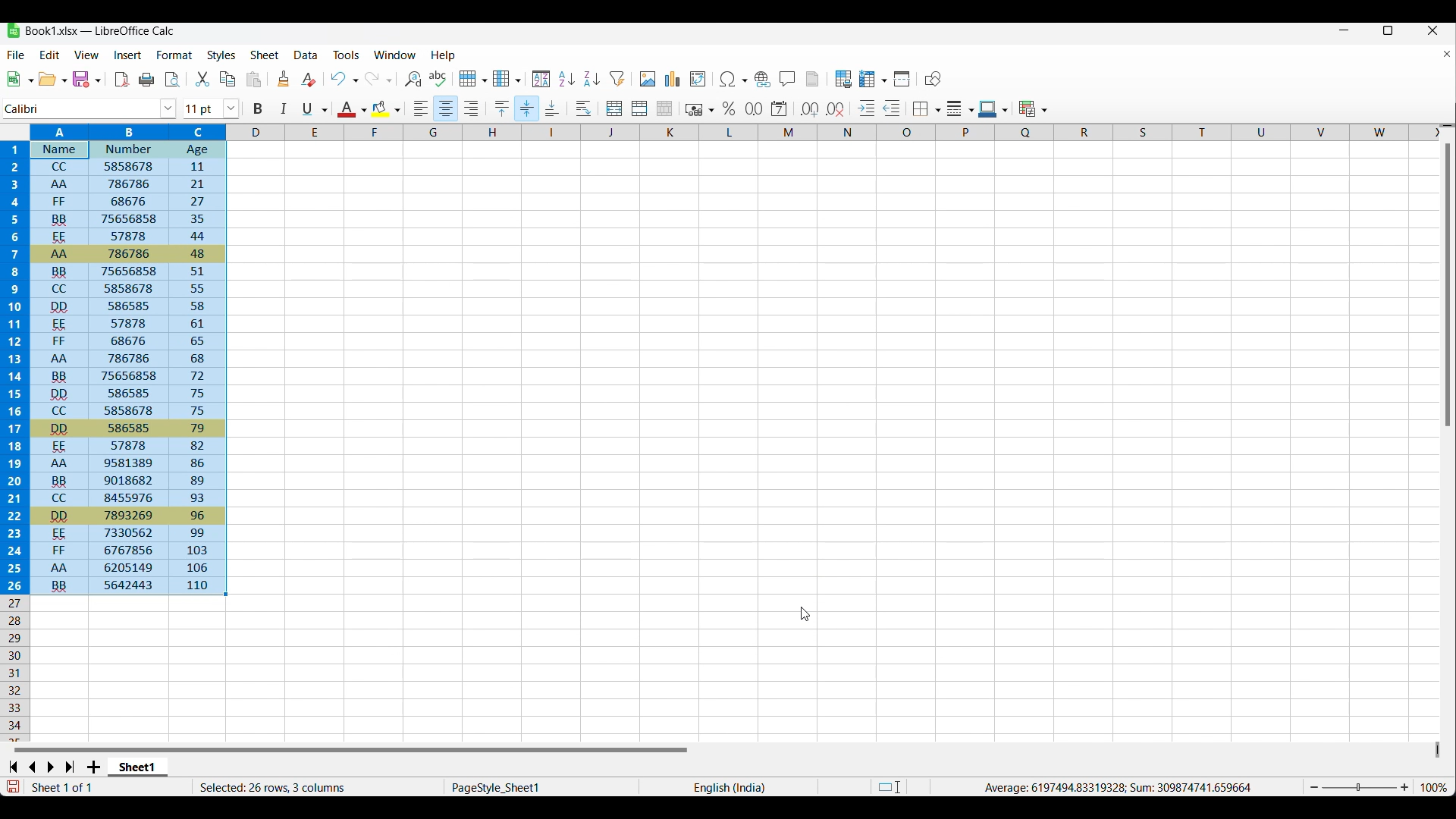  What do you see at coordinates (221, 55) in the screenshot?
I see `Styles menu` at bounding box center [221, 55].